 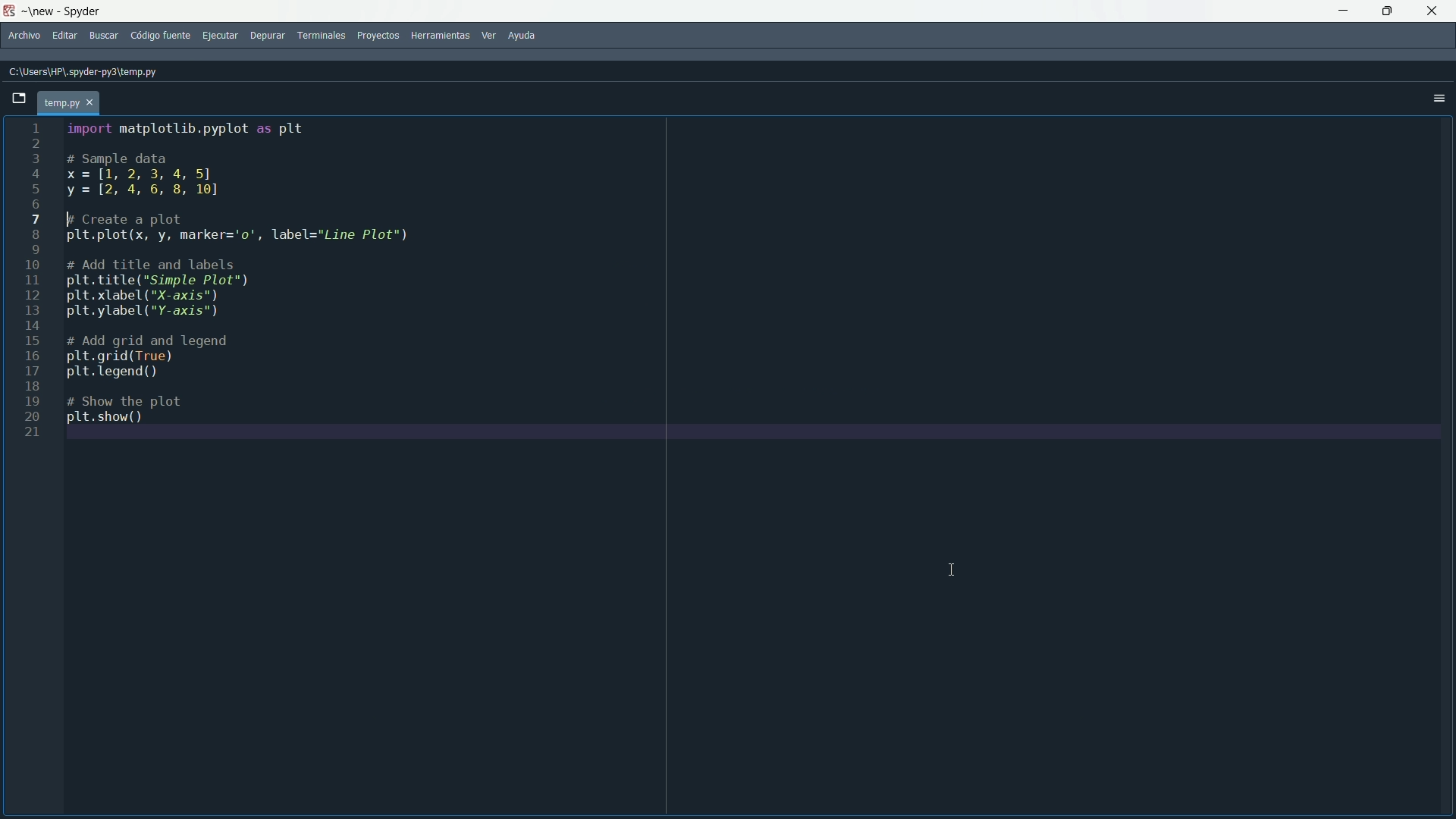 I want to click on browse tabs, so click(x=18, y=99).